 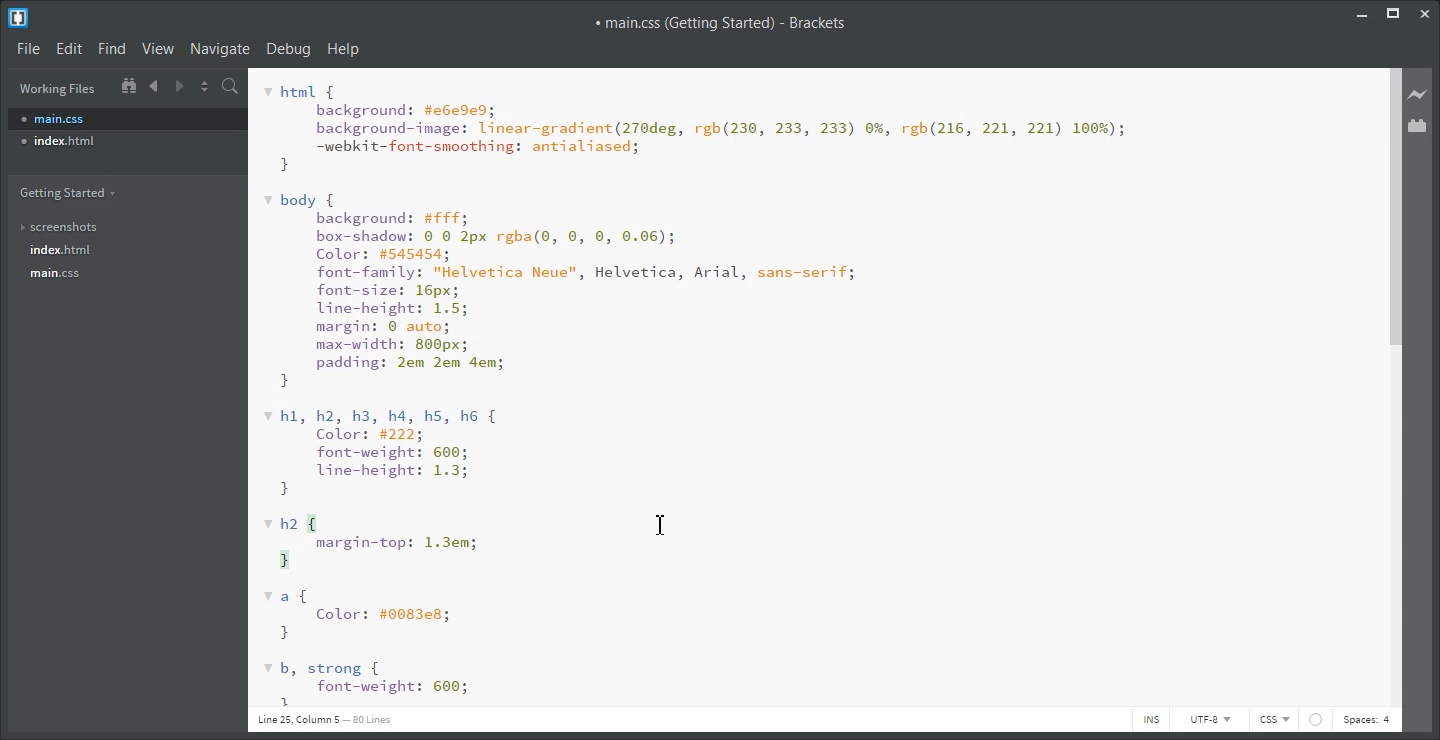 I want to click on Edit, so click(x=68, y=48).